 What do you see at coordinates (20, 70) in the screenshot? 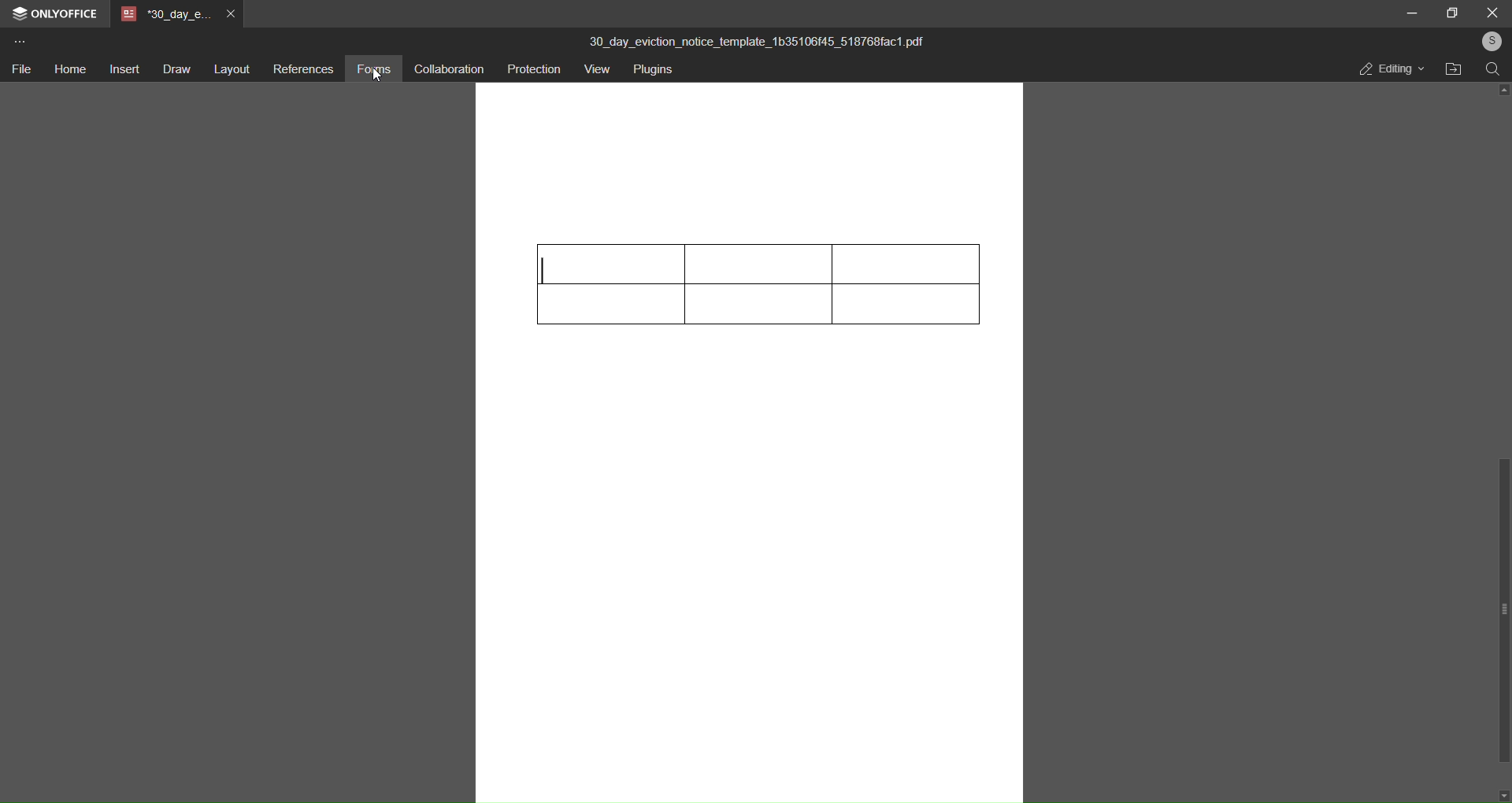
I see `file` at bounding box center [20, 70].